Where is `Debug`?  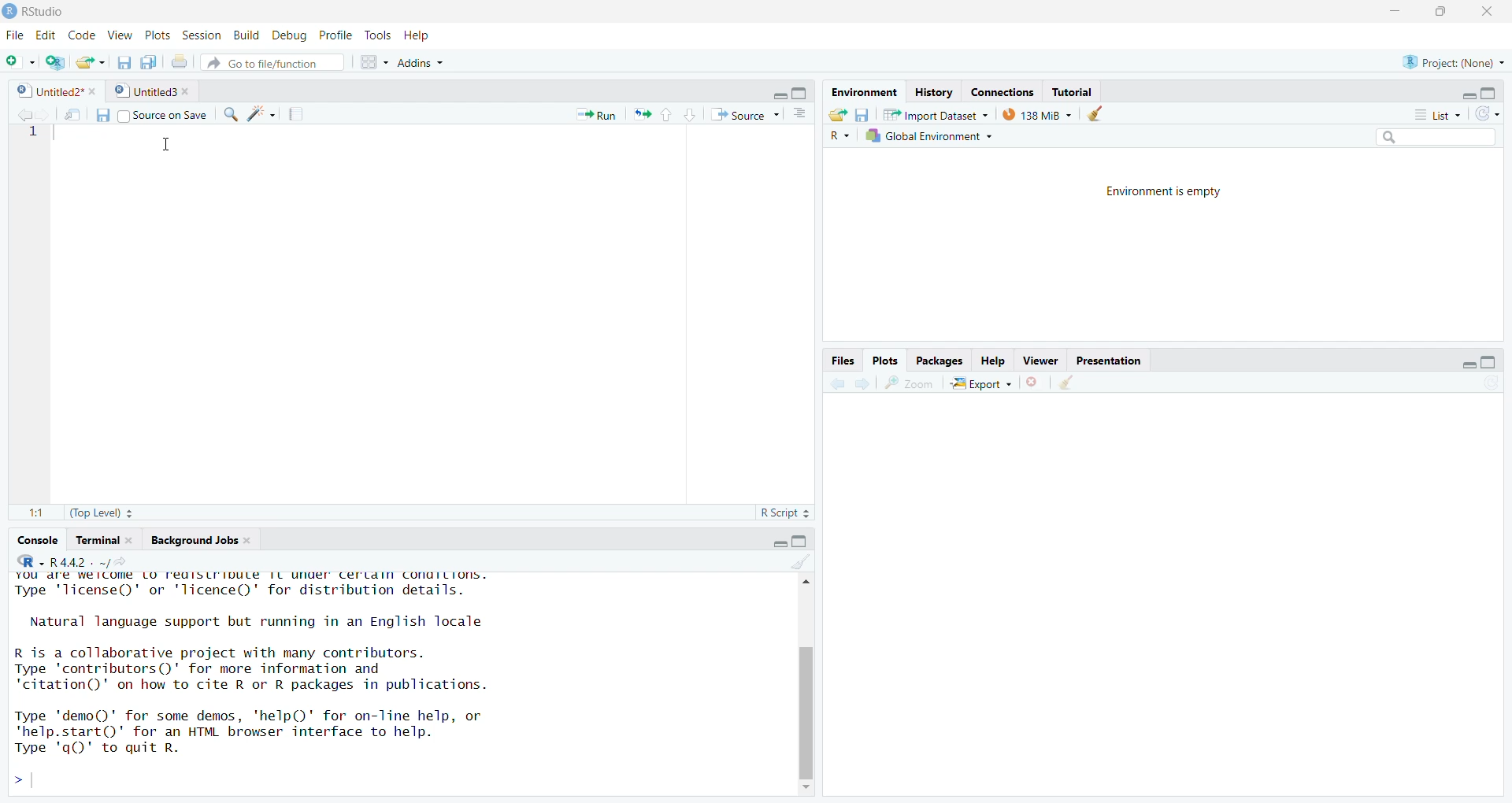
Debug is located at coordinates (291, 35).